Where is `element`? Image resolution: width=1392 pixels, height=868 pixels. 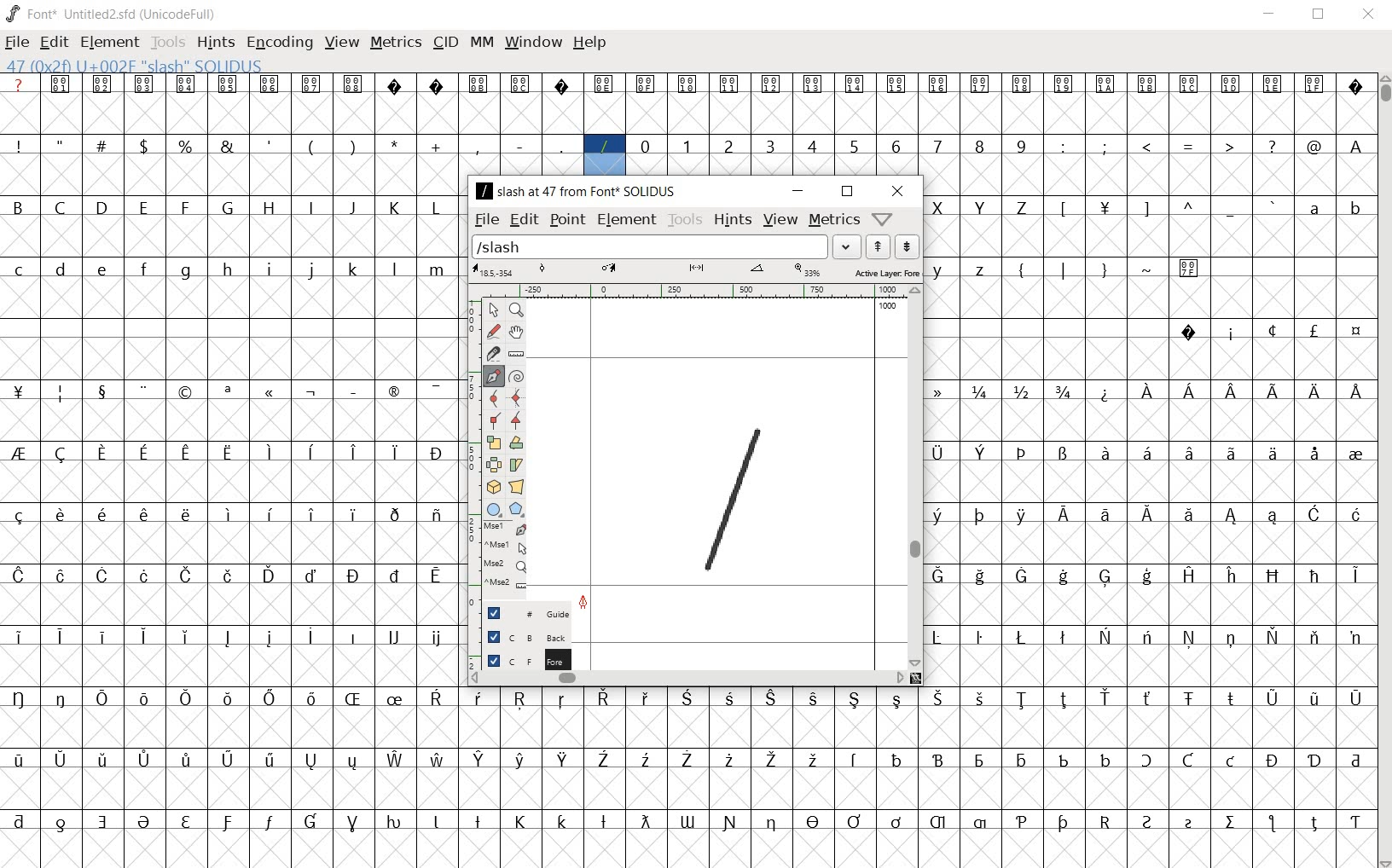 element is located at coordinates (625, 219).